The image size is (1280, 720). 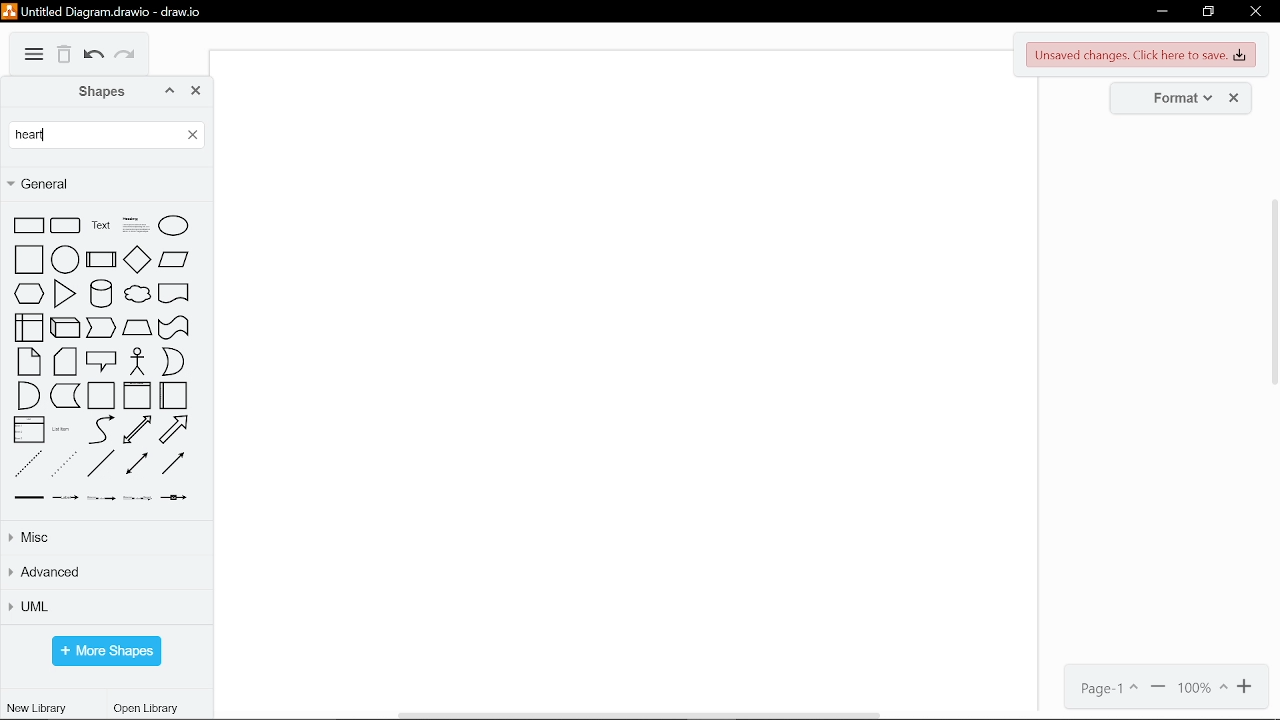 I want to click on unsaved changes. Click here to save changes, so click(x=1143, y=55).